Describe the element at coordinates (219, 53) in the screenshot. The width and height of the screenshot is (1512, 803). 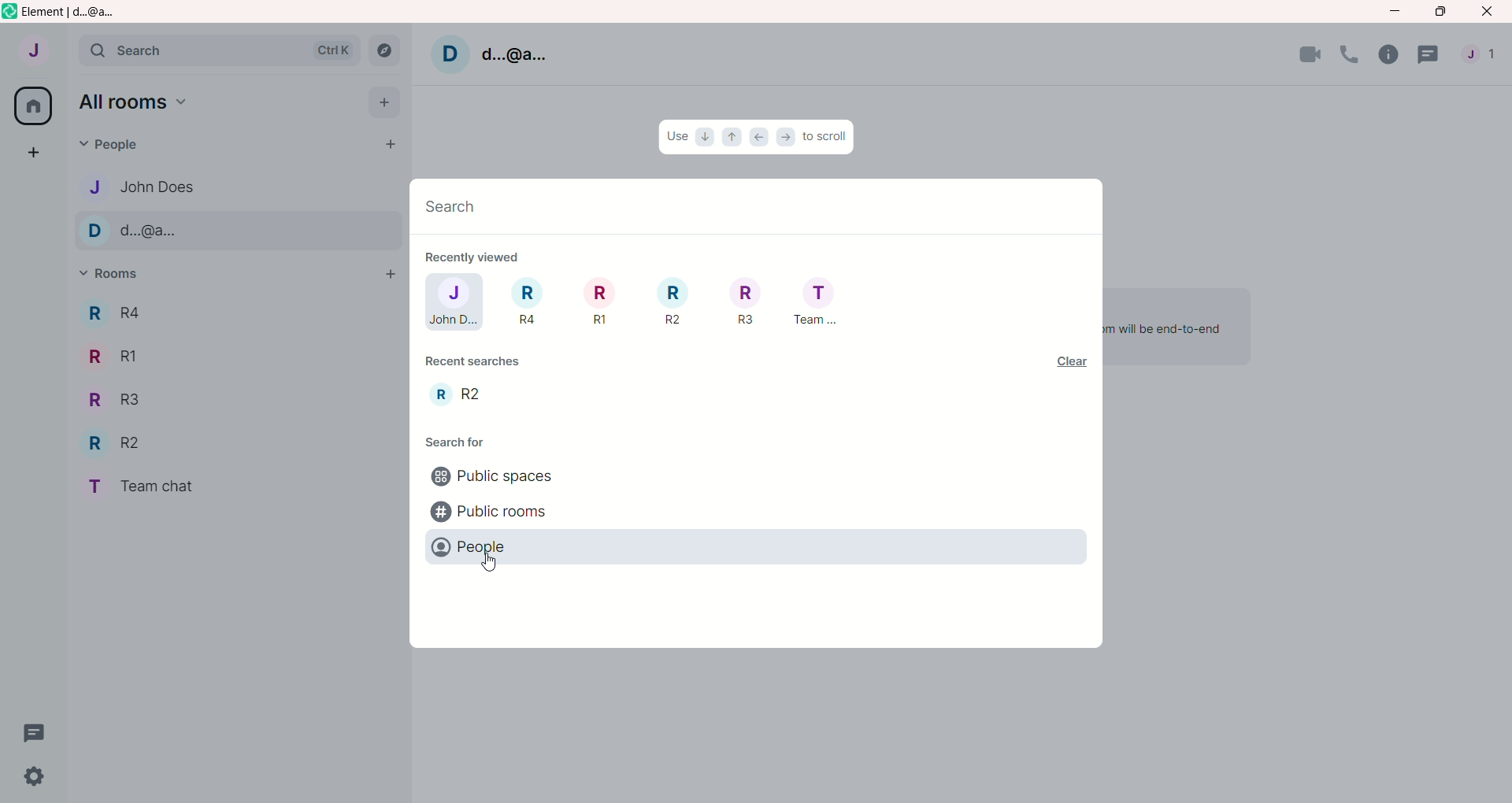
I see `search bar` at that location.